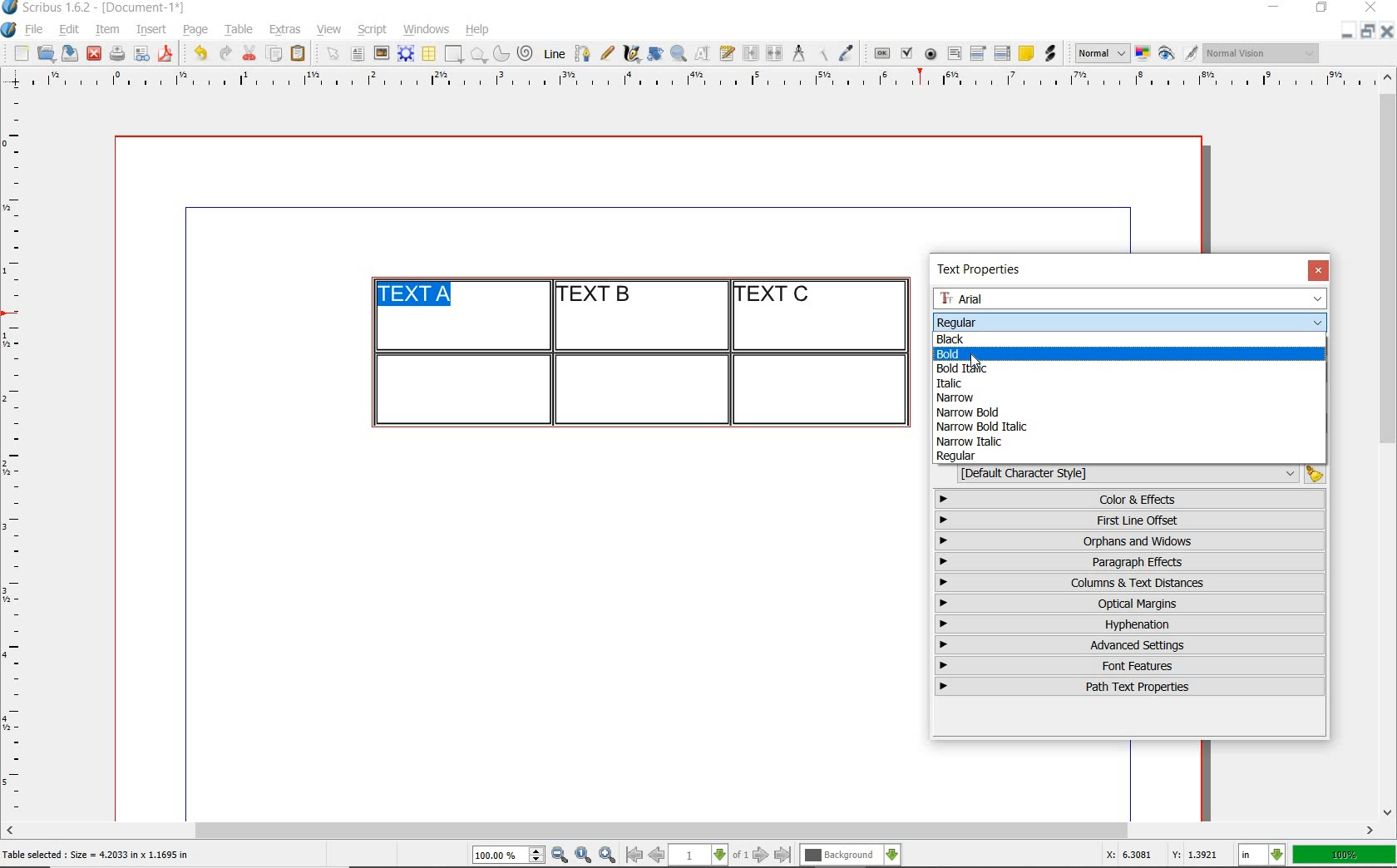 This screenshot has width=1397, height=868. Describe the element at coordinates (476, 31) in the screenshot. I see `help` at that location.